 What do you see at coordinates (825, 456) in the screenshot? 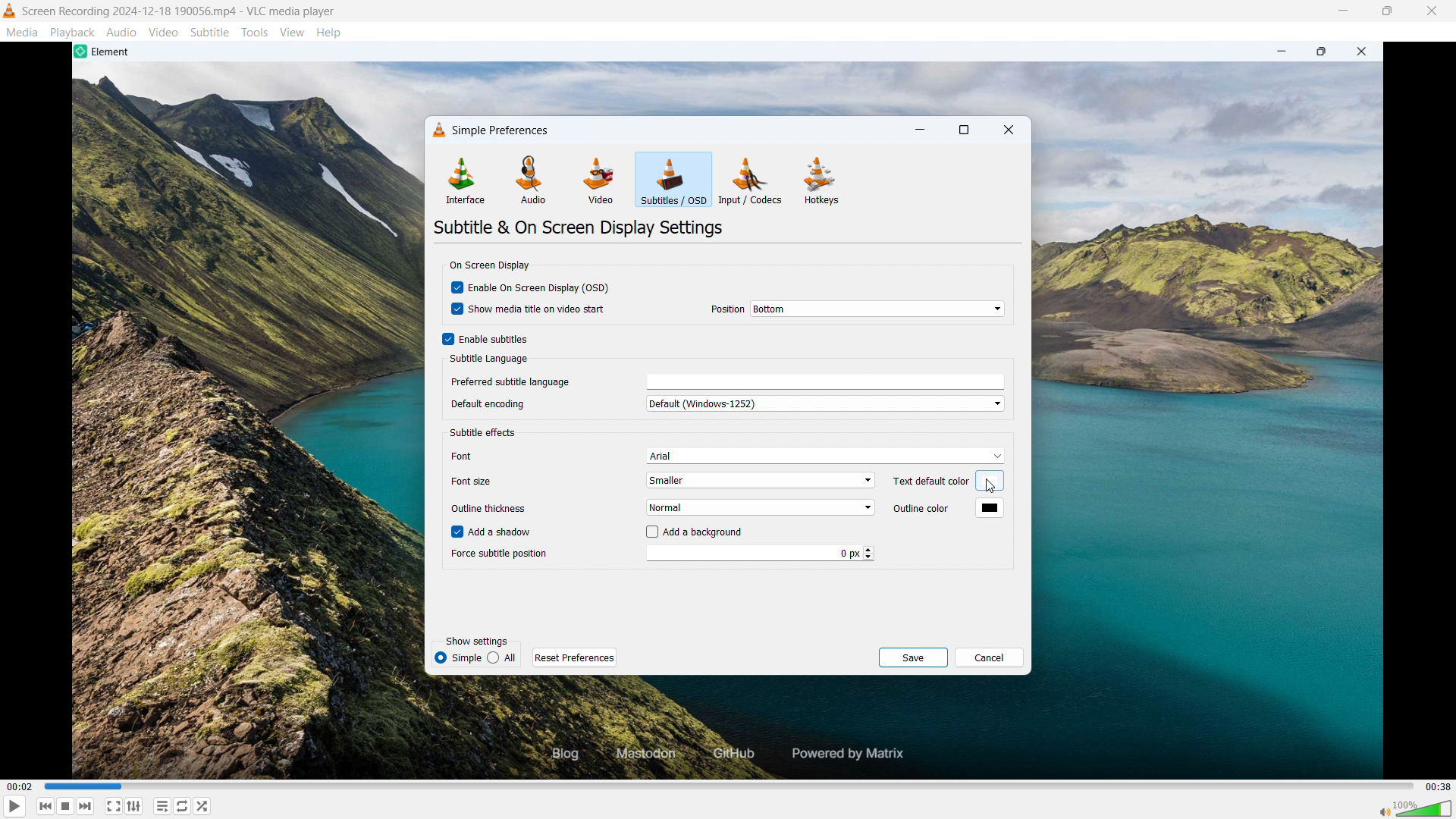
I see `Select subtitle font ` at bounding box center [825, 456].